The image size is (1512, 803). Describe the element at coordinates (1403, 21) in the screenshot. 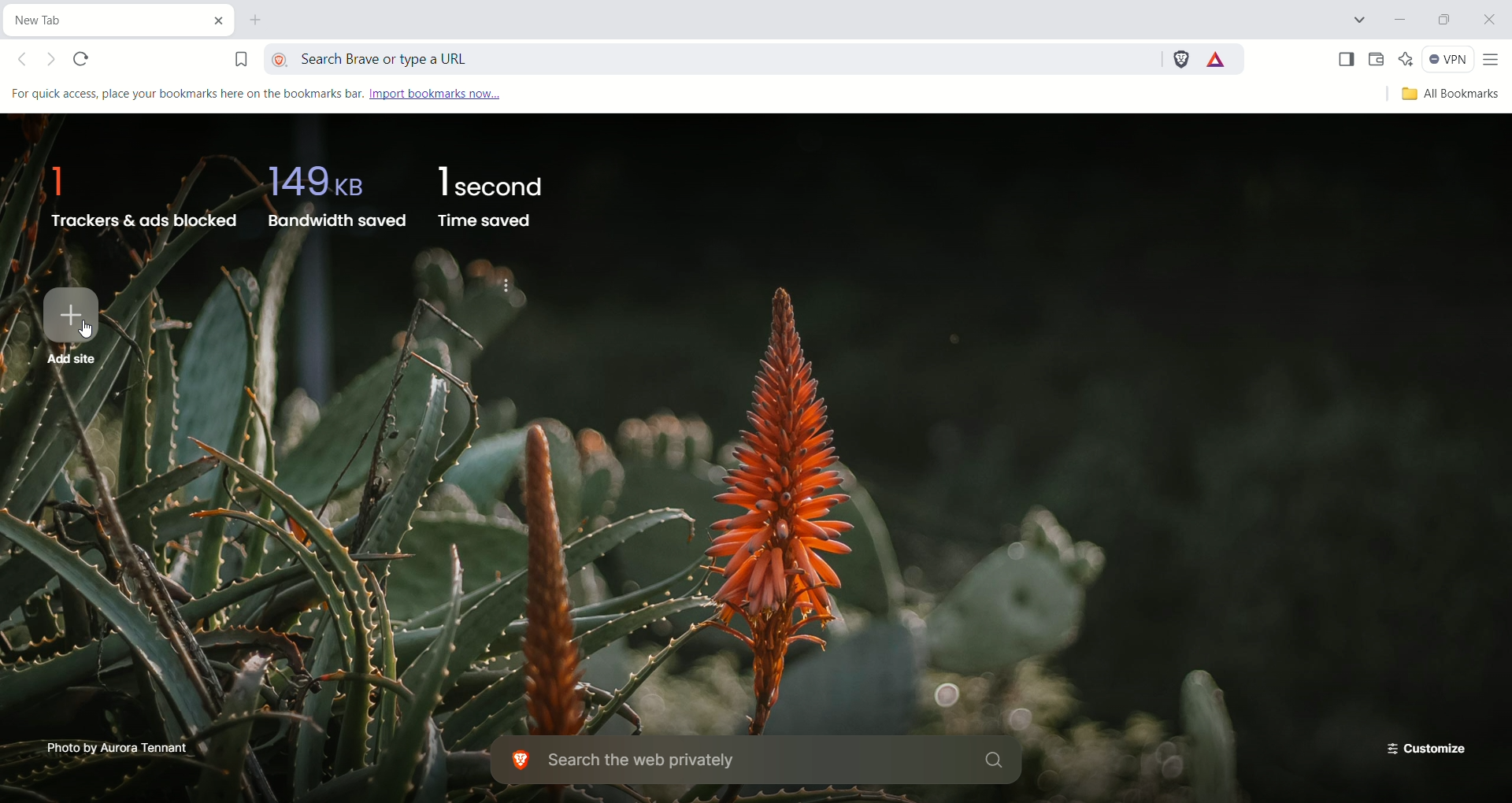

I see `minimize` at that location.